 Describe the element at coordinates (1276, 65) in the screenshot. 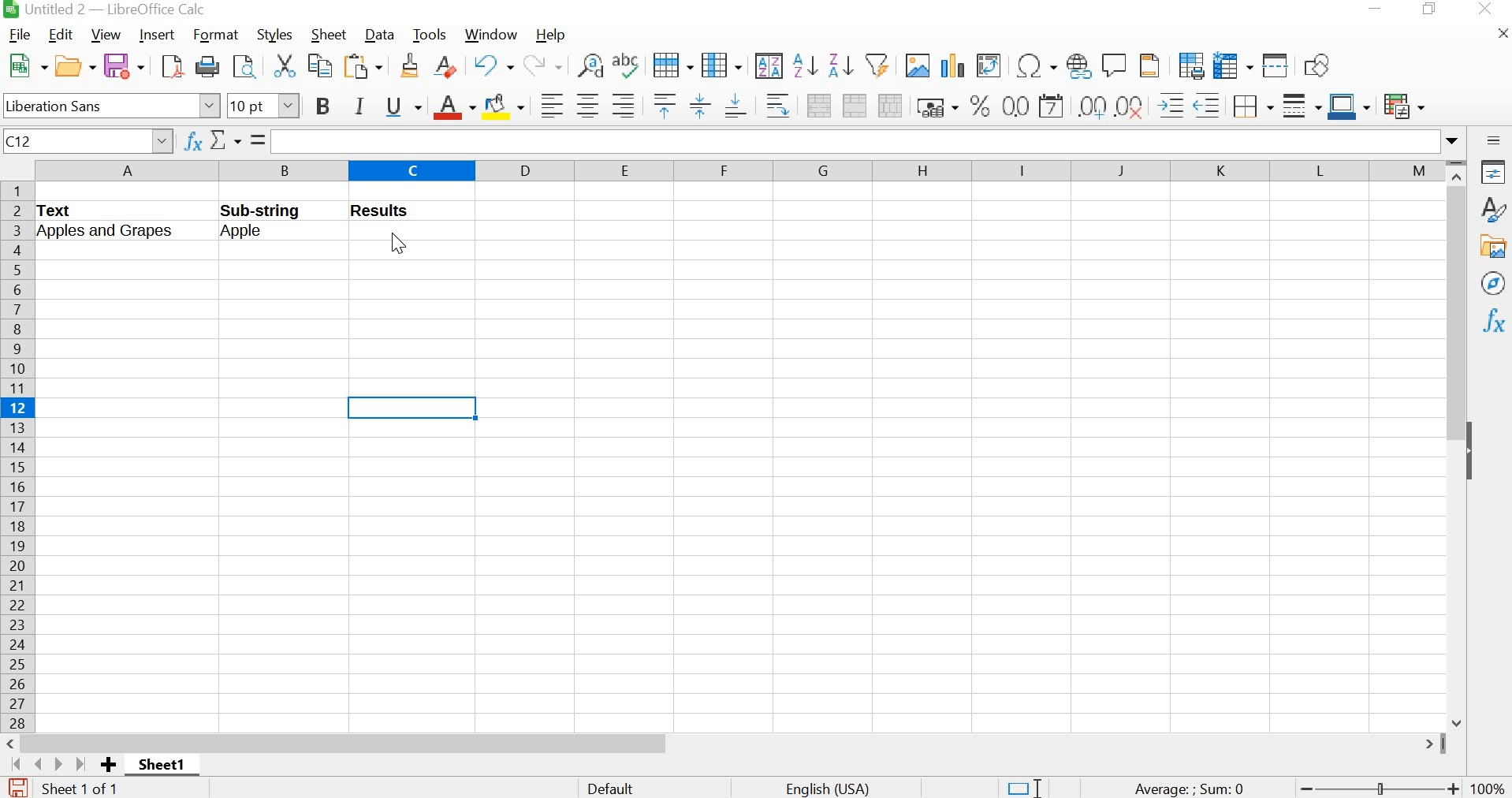

I see `split window` at that location.